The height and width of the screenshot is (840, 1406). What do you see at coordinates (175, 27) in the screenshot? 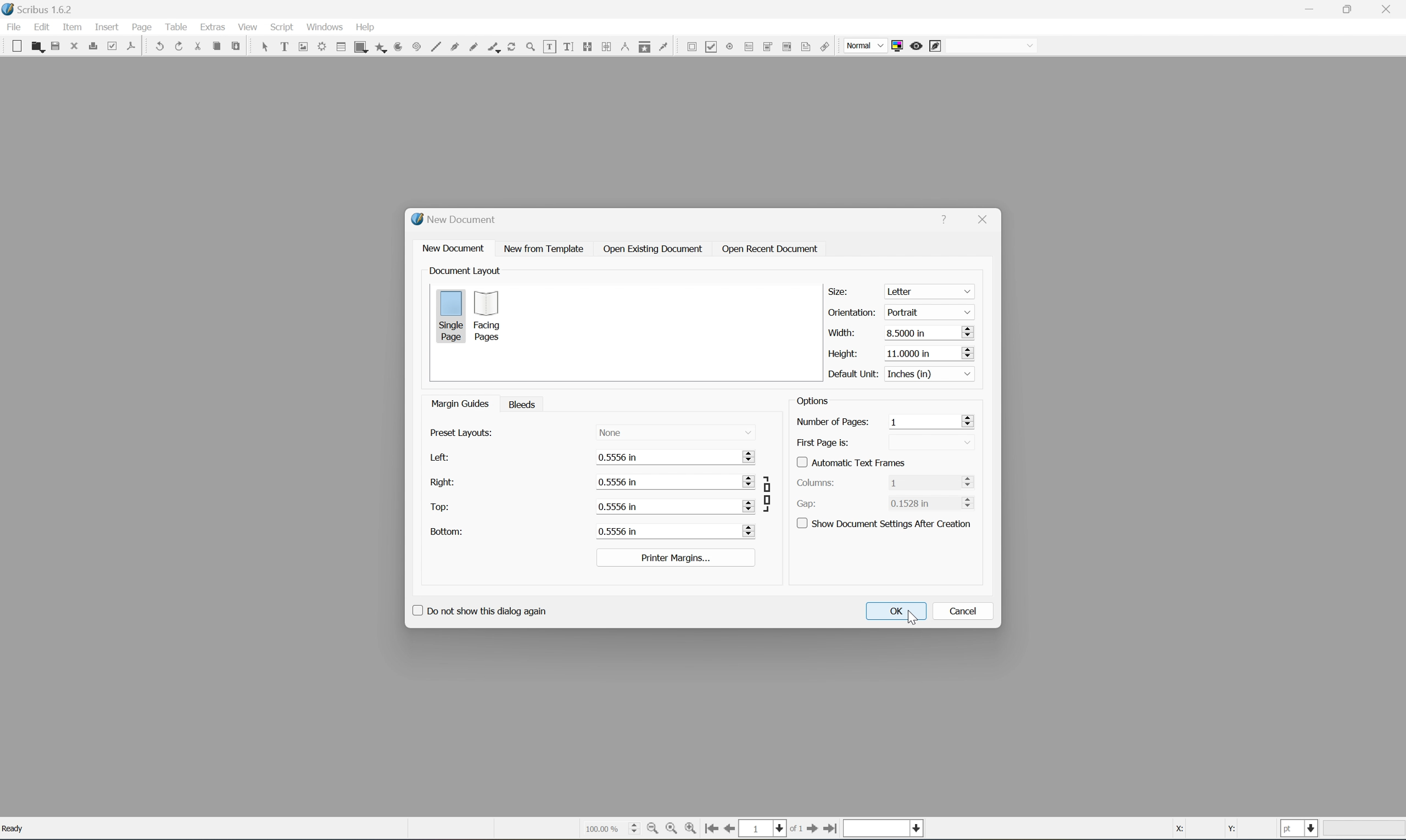
I see `table` at bounding box center [175, 27].